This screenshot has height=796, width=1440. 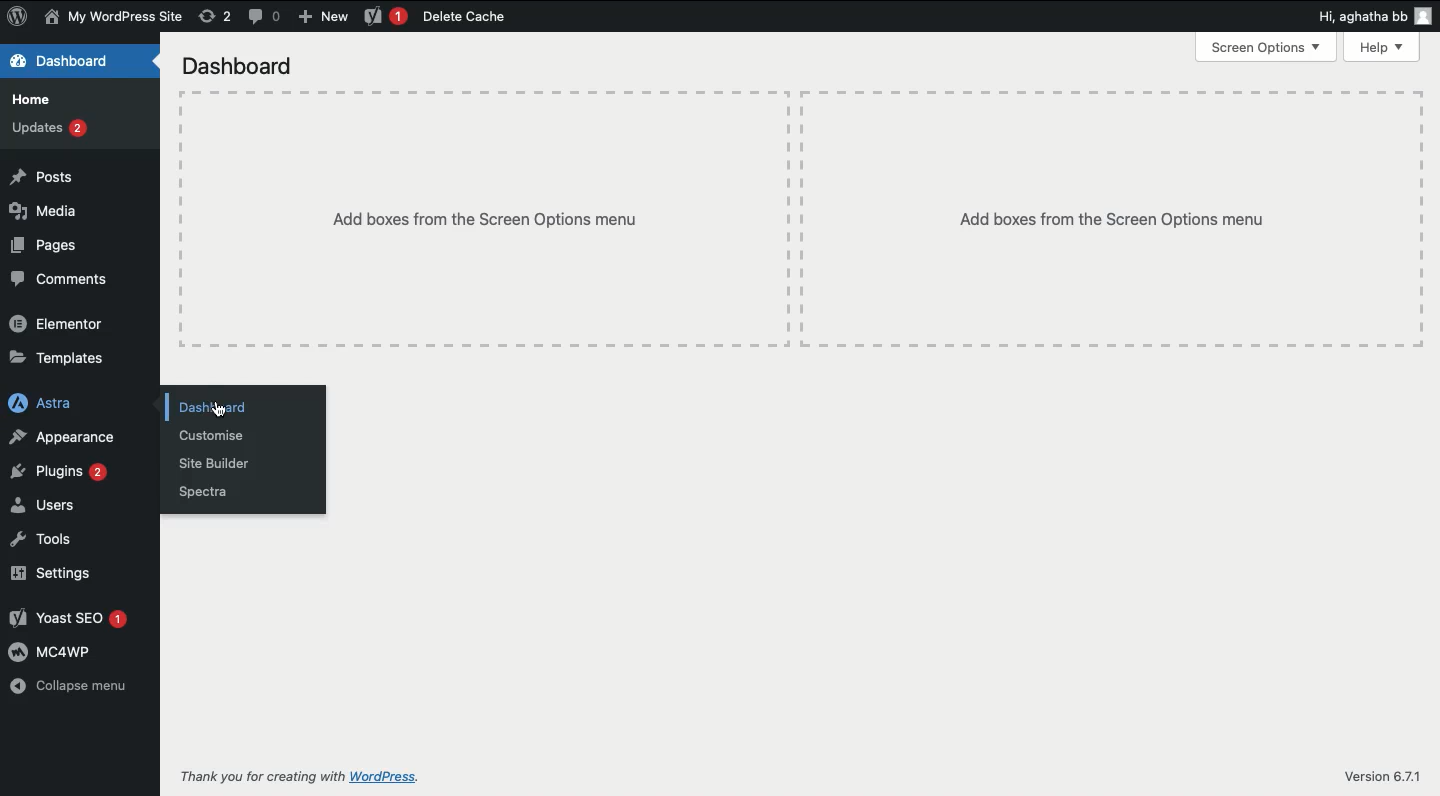 I want to click on Comments, so click(x=63, y=278).